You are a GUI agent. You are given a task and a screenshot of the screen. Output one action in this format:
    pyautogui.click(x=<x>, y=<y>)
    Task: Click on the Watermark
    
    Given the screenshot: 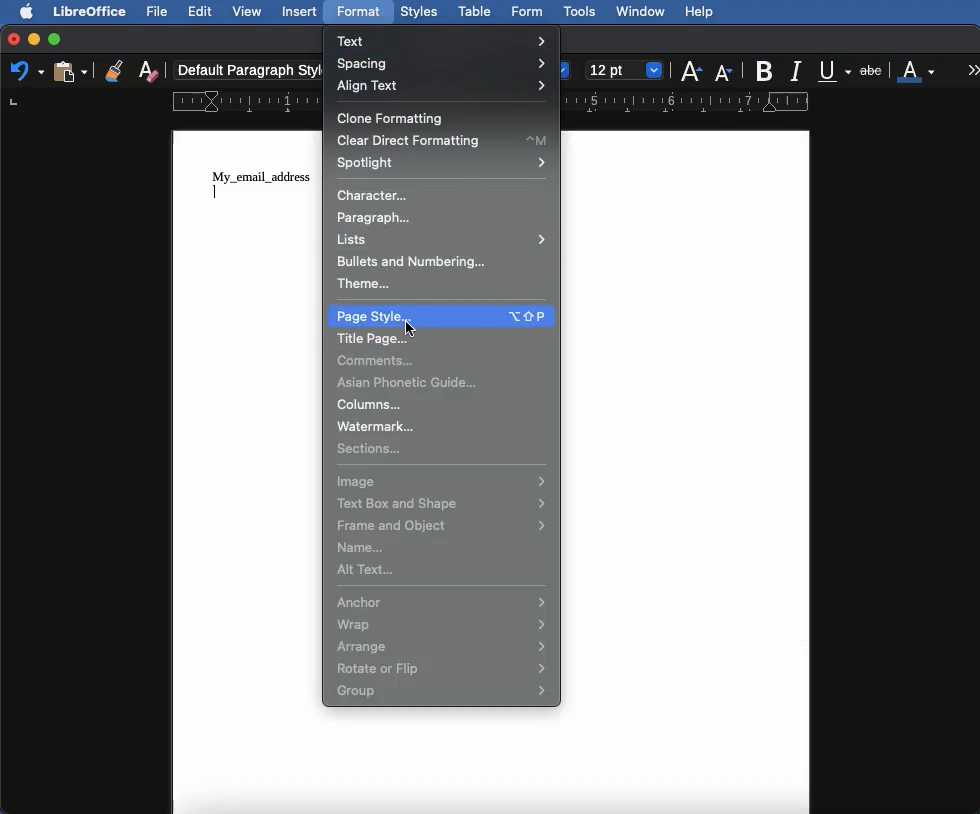 What is the action you would take?
    pyautogui.click(x=378, y=426)
    